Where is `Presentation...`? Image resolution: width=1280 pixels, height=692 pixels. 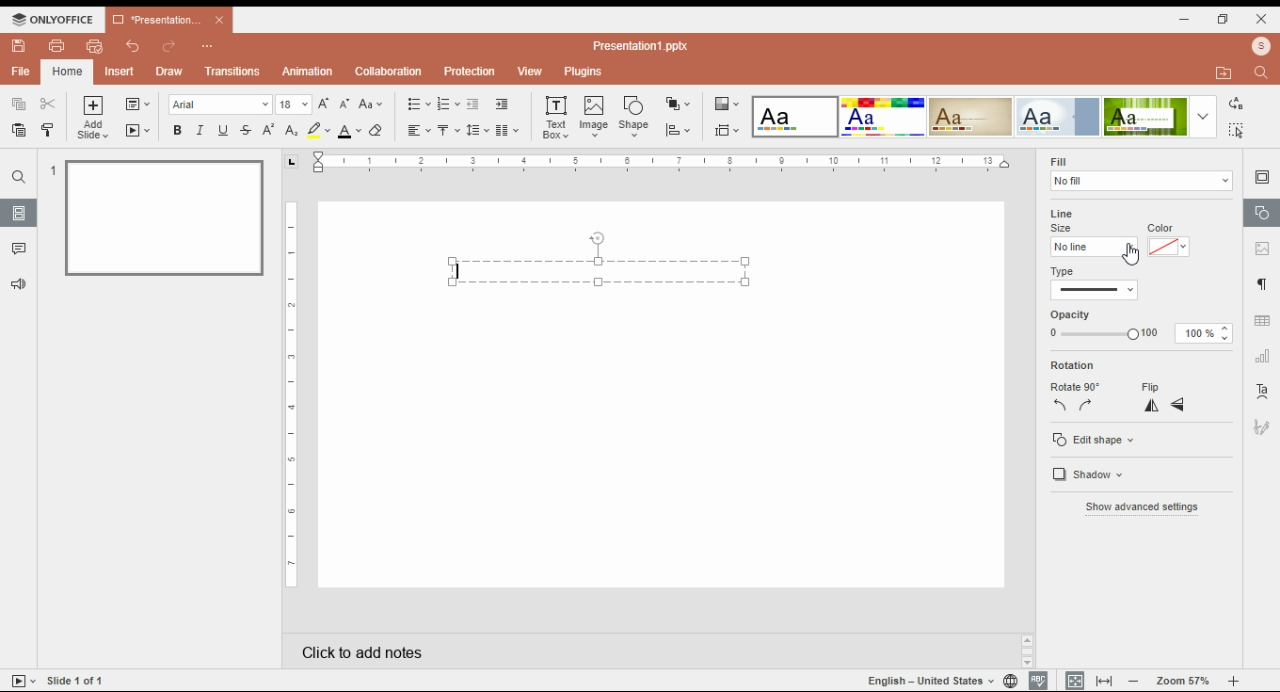 Presentation... is located at coordinates (152, 21).